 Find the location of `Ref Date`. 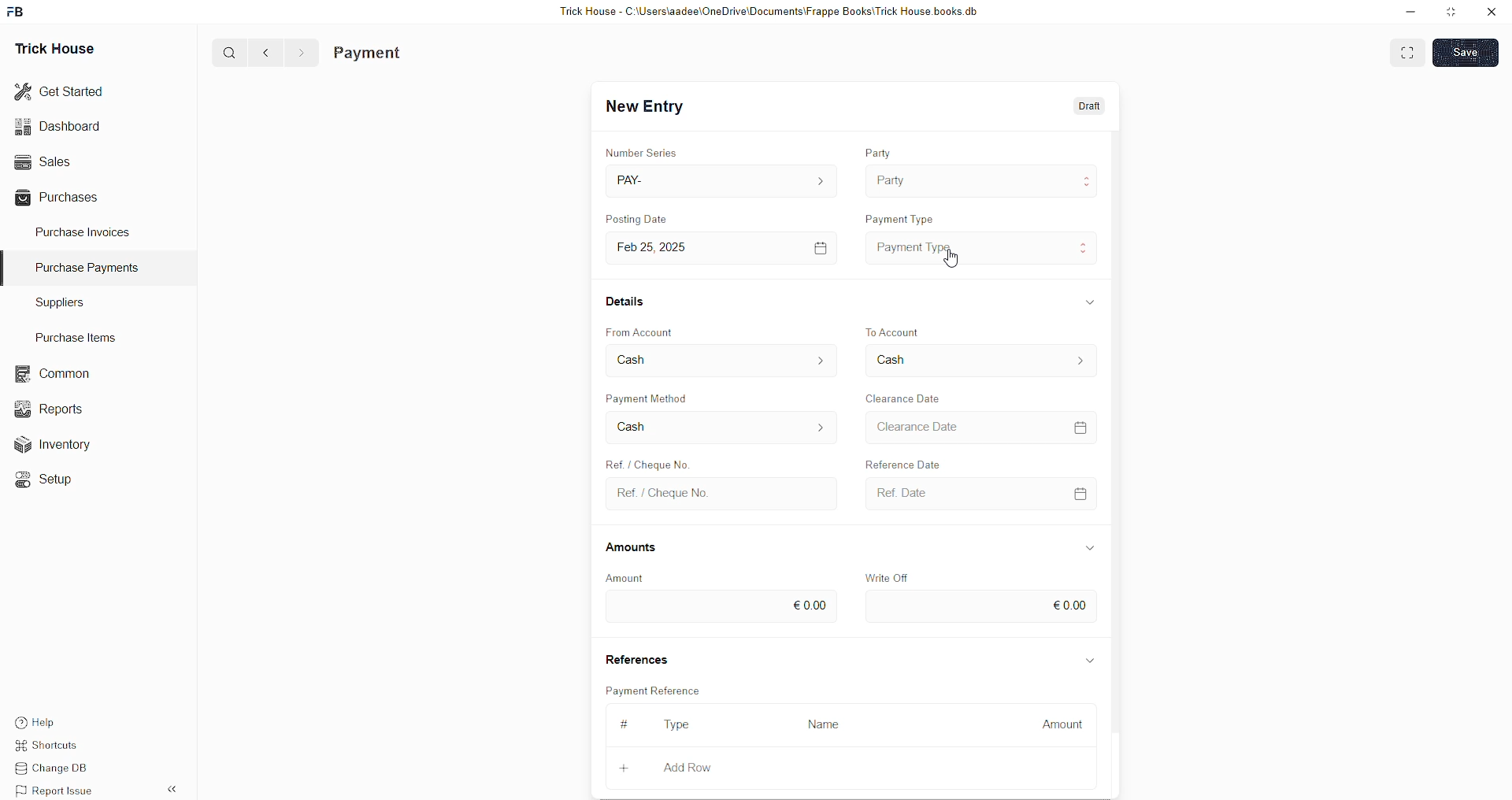

Ref Date is located at coordinates (895, 492).